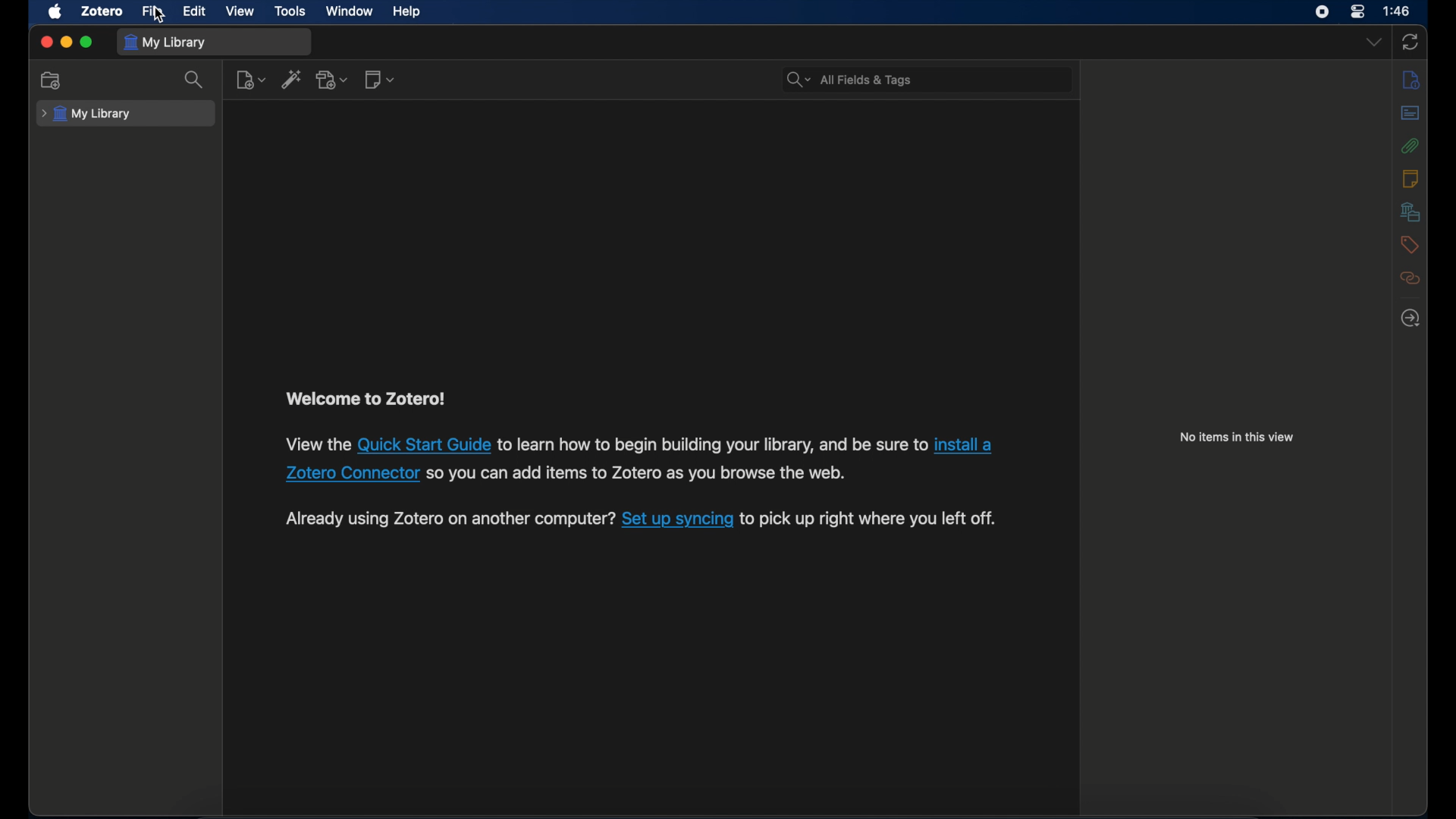  What do you see at coordinates (193, 11) in the screenshot?
I see `edit` at bounding box center [193, 11].